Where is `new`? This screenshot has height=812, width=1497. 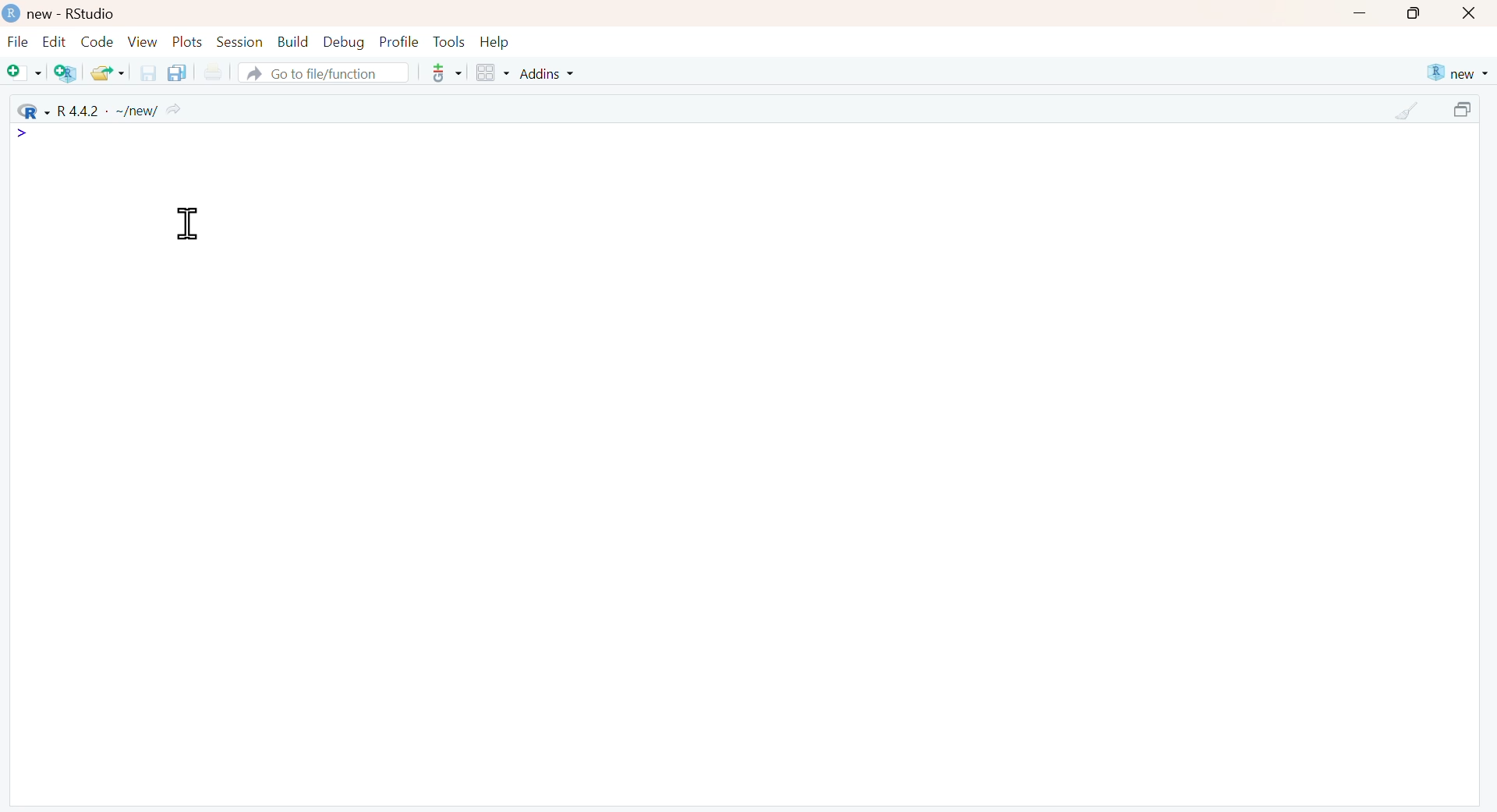 new is located at coordinates (1456, 72).